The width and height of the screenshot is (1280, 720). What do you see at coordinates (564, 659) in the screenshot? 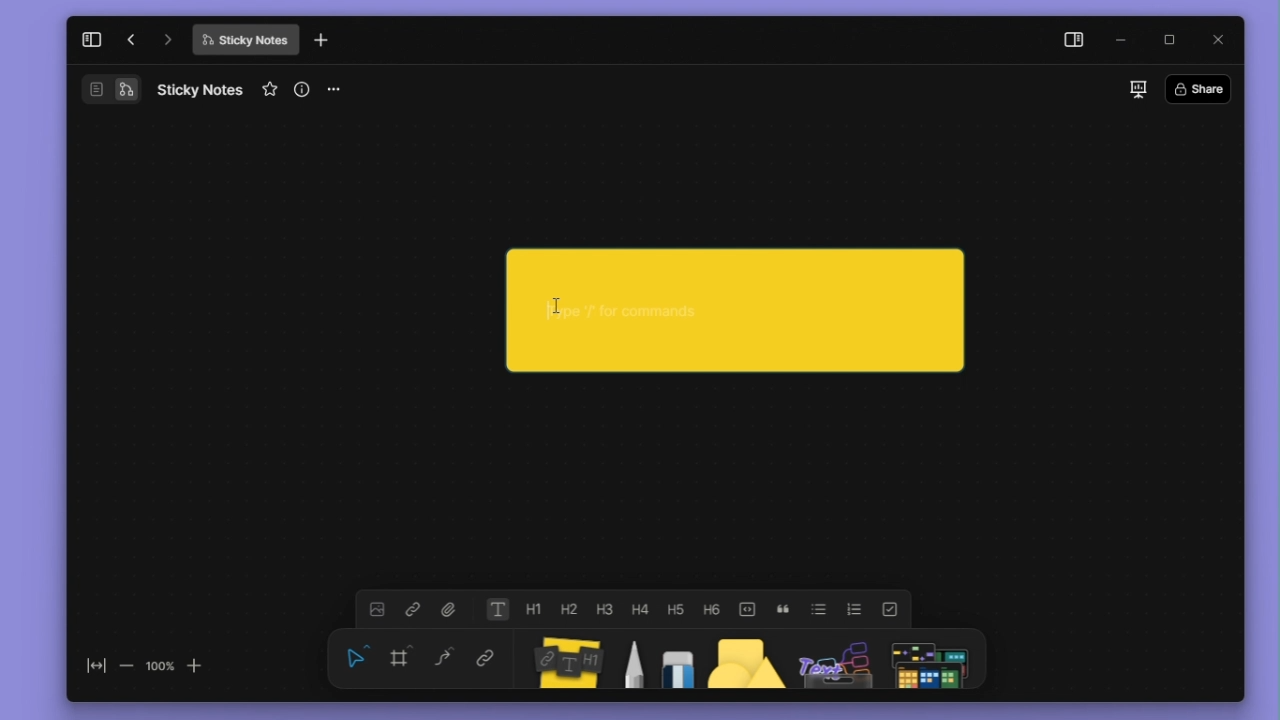
I see `Sticky notes` at bounding box center [564, 659].